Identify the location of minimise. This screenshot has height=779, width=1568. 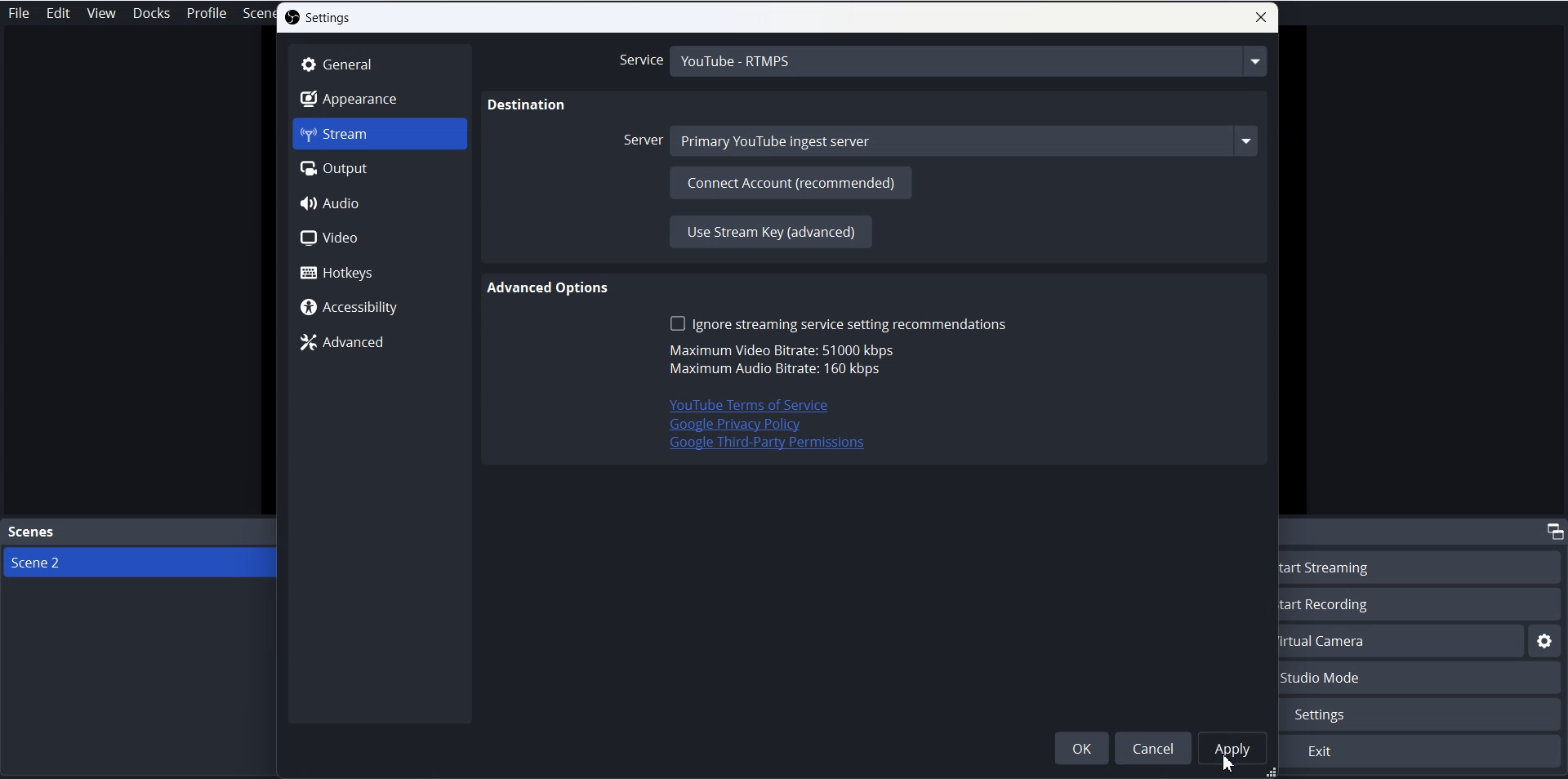
(1552, 530).